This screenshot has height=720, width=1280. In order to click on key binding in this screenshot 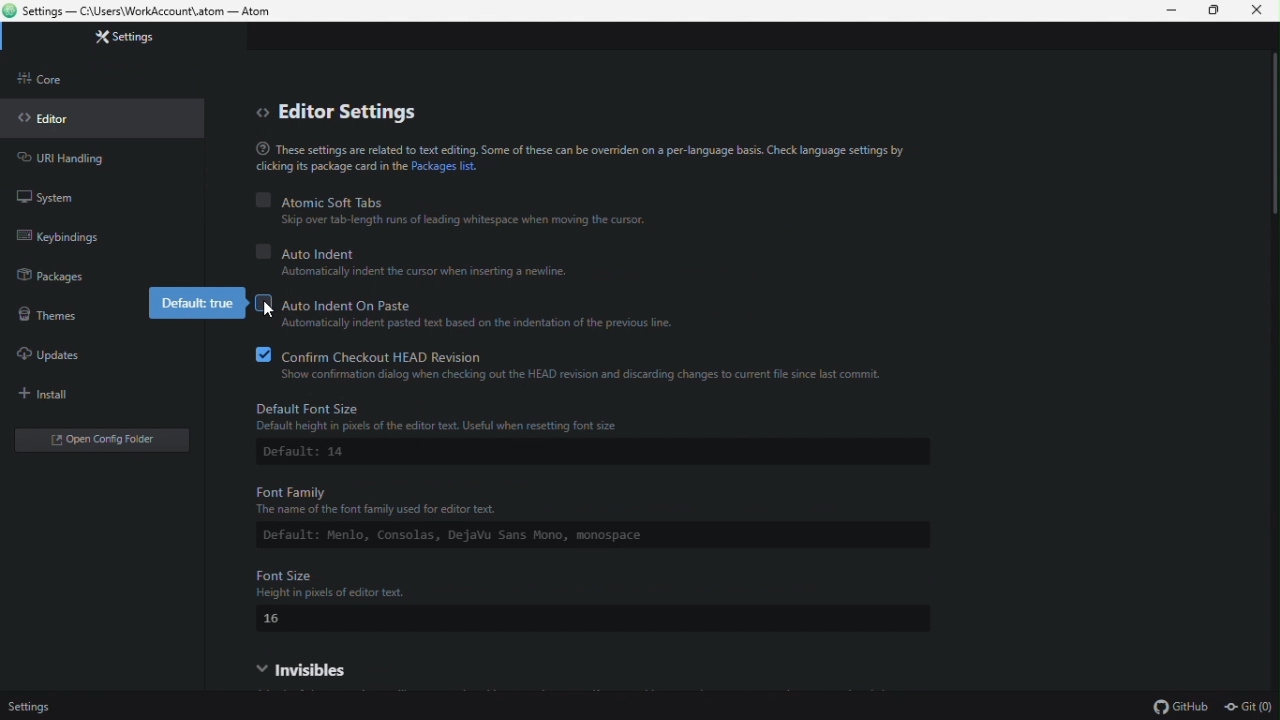, I will do `click(65, 235)`.